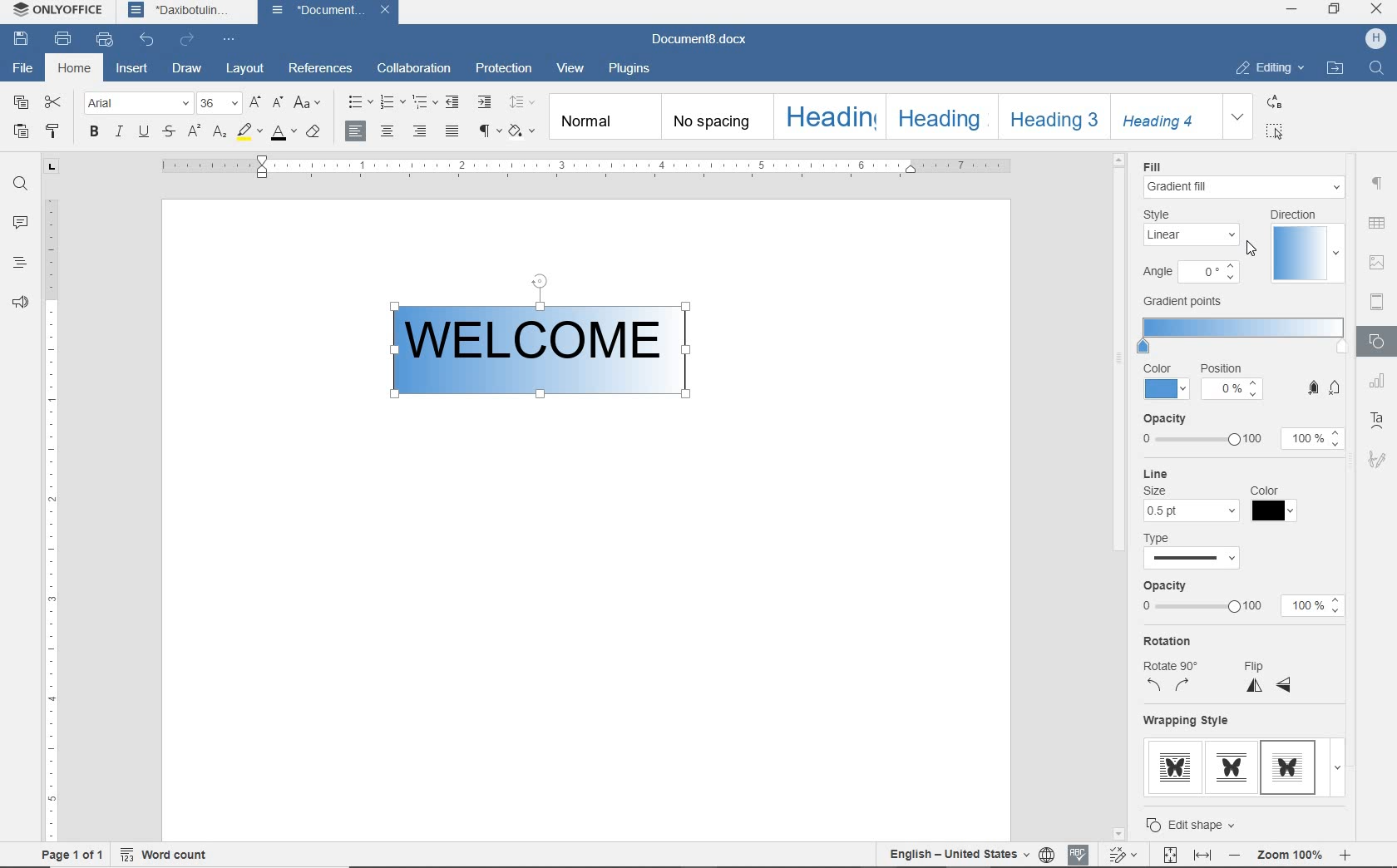 This screenshot has height=868, width=1397. Describe the element at coordinates (1152, 166) in the screenshot. I see `Fill` at that location.